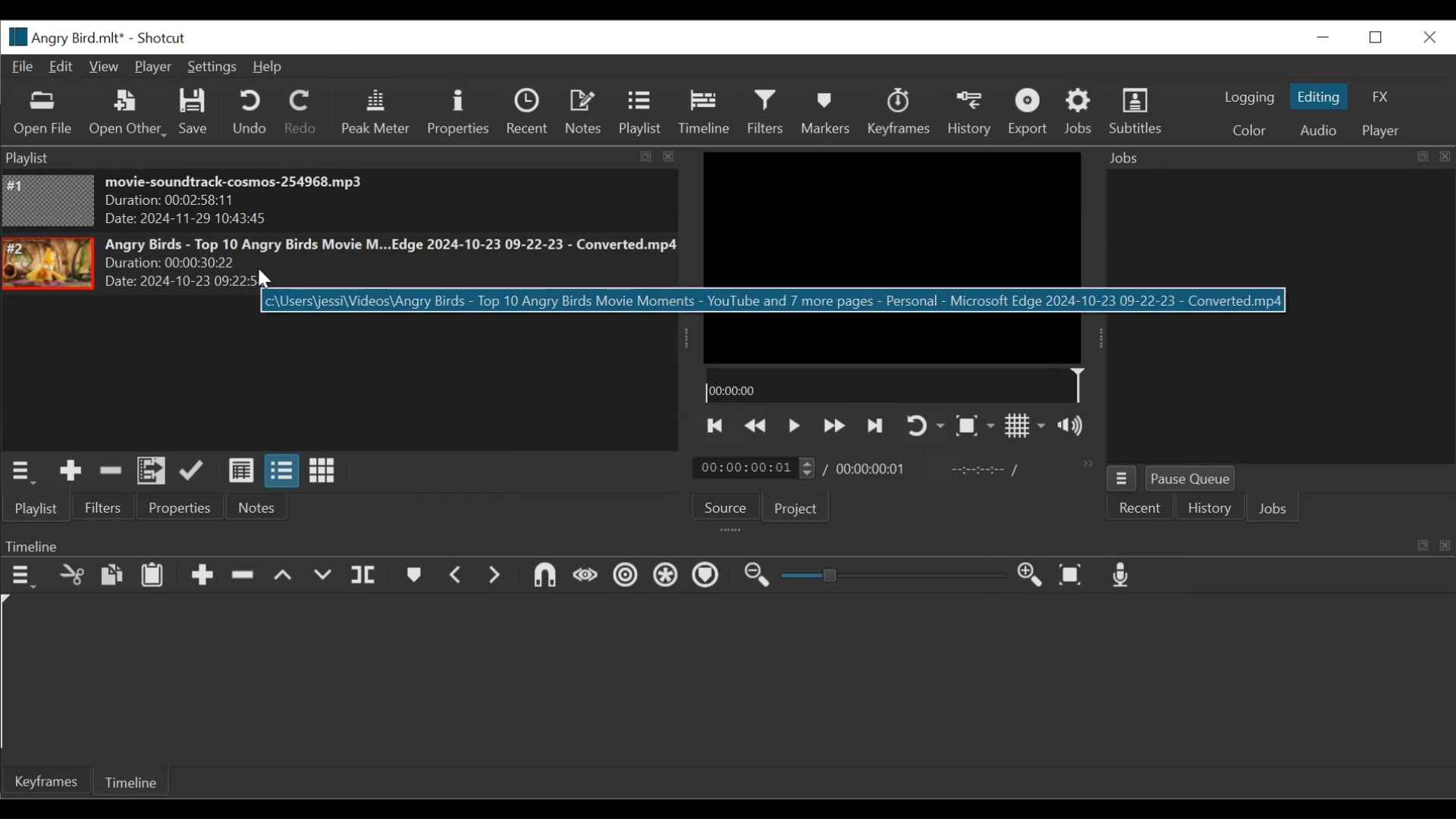  What do you see at coordinates (210, 67) in the screenshot?
I see `Settings` at bounding box center [210, 67].